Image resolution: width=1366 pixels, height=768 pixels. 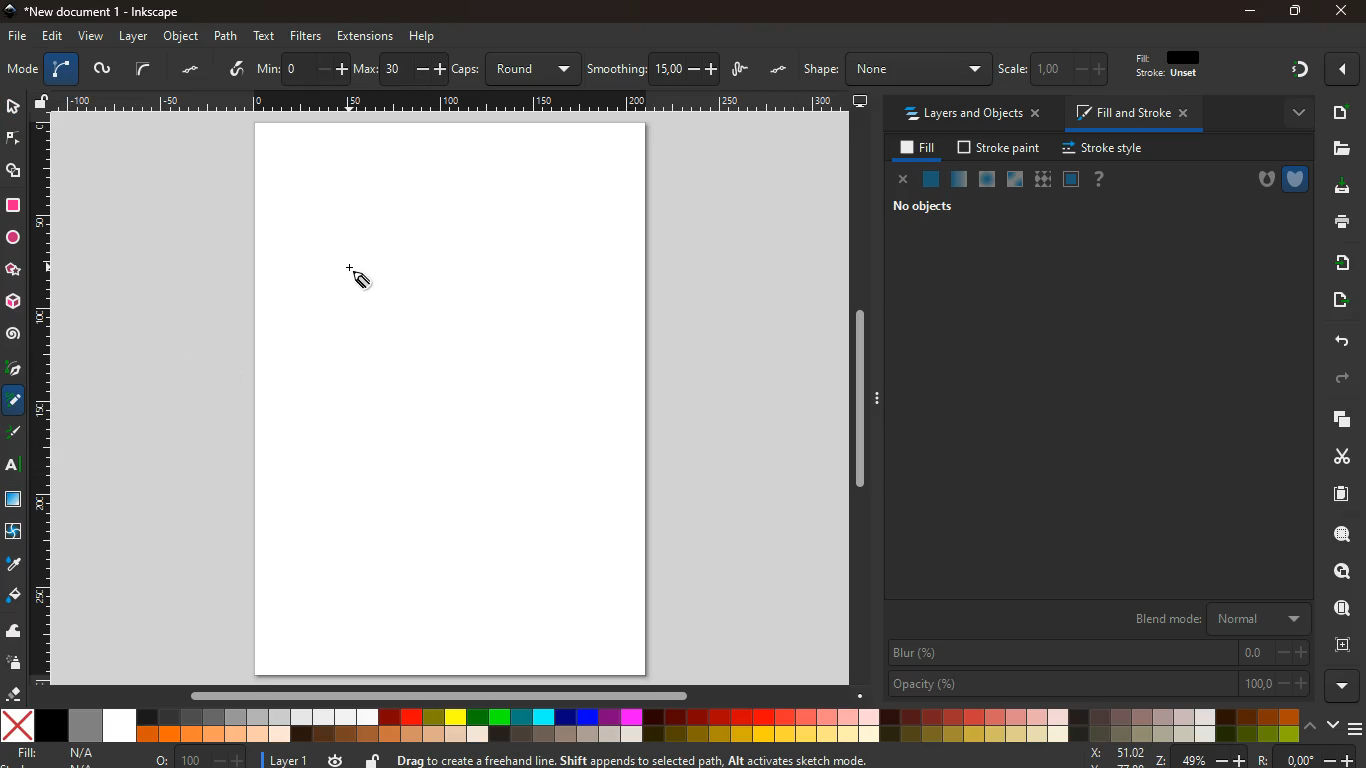 I want to click on receive, so click(x=1337, y=263).